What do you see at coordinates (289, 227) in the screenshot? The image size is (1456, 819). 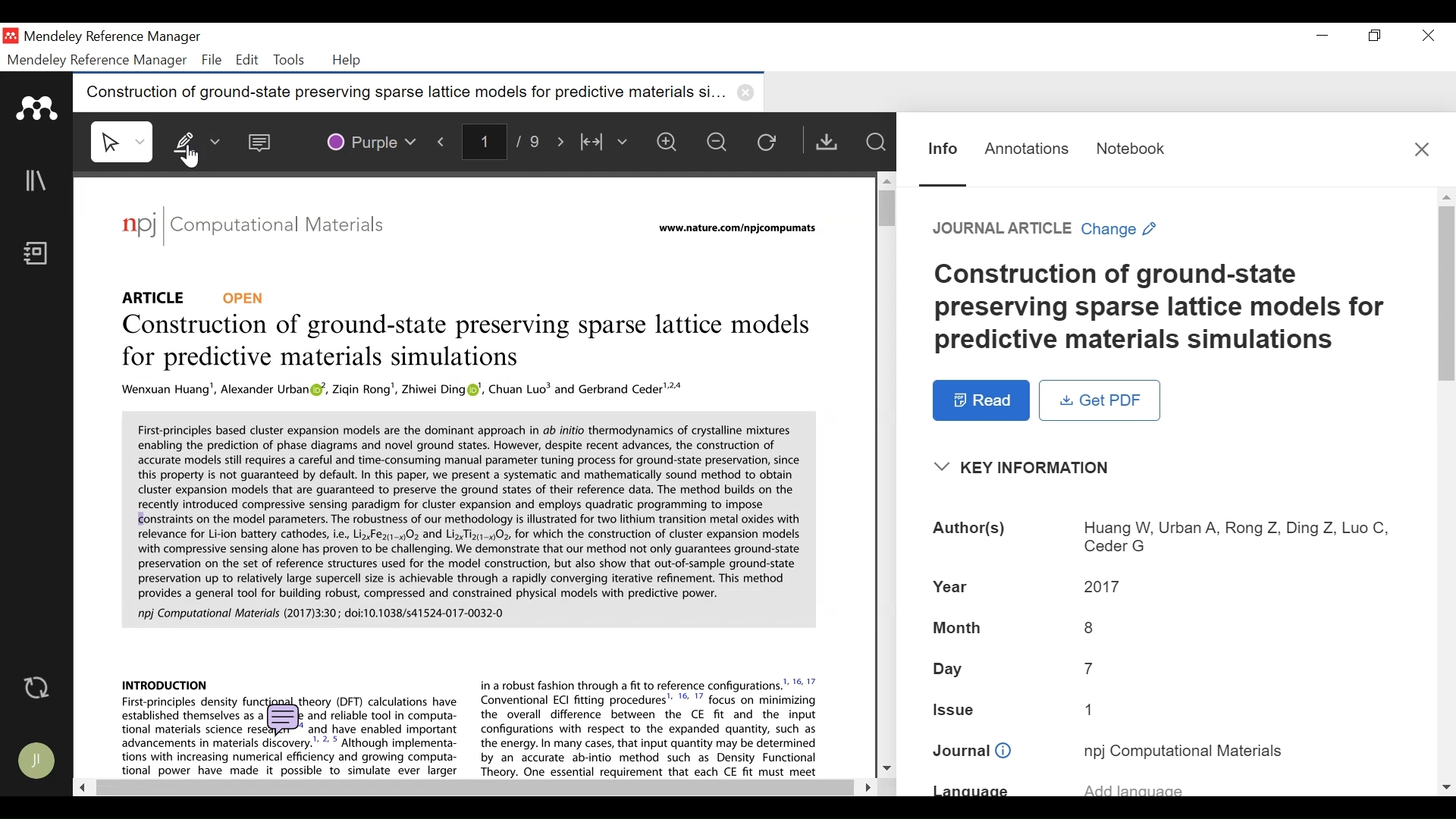 I see `Journal` at bounding box center [289, 227].